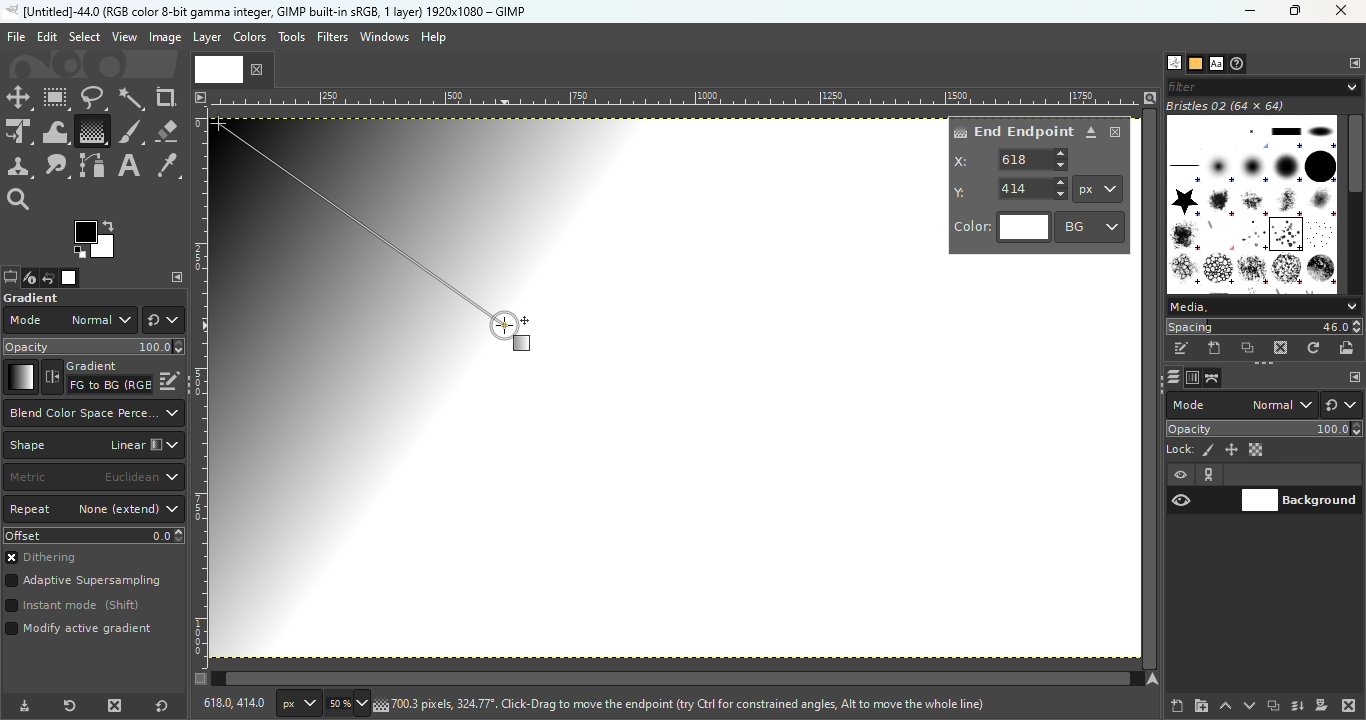 This screenshot has height=720, width=1366. I want to click on Zoom image when window size changes, so click(1150, 97).